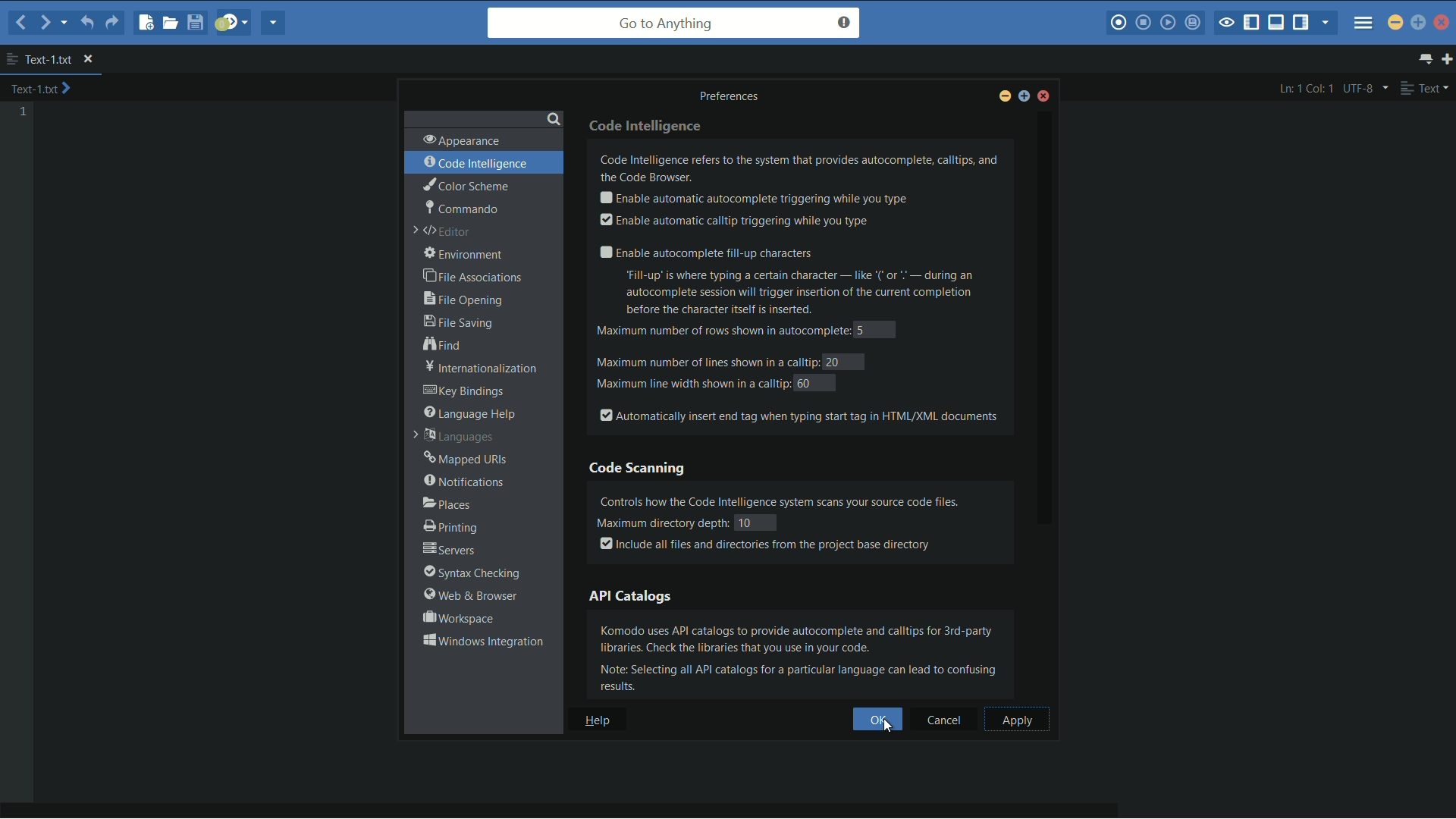 This screenshot has height=819, width=1456. Describe the element at coordinates (466, 460) in the screenshot. I see `mapped urls` at that location.